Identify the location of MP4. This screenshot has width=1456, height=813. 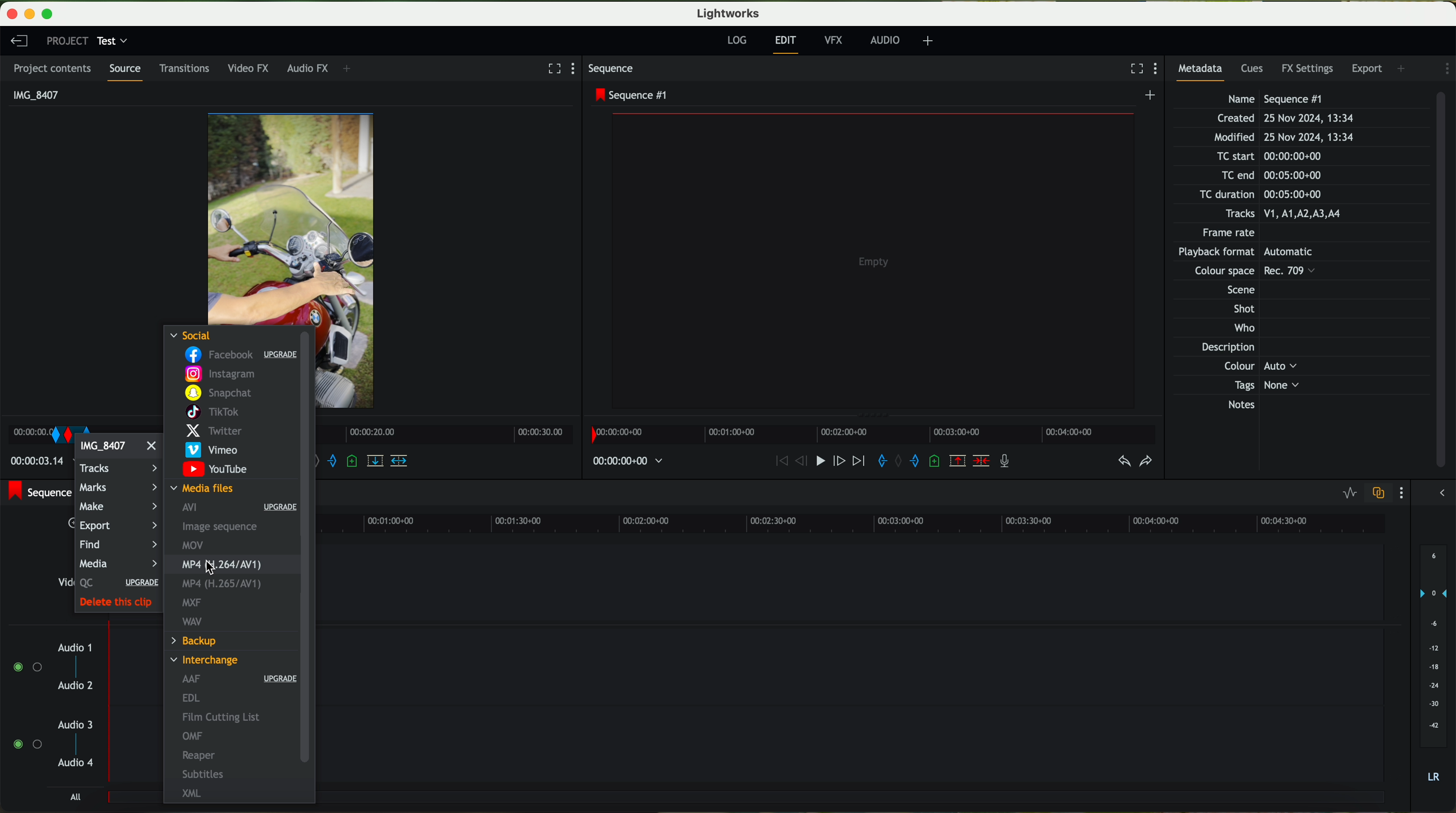
(226, 586).